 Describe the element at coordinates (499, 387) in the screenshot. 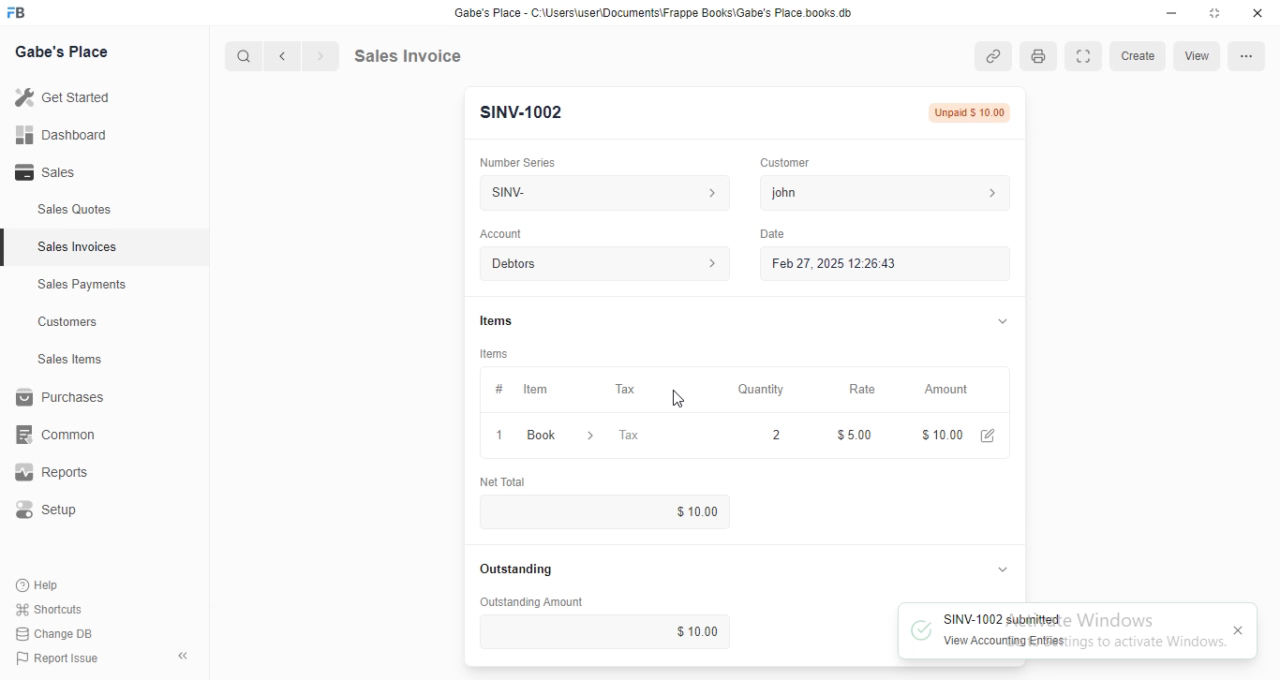

I see `#` at that location.